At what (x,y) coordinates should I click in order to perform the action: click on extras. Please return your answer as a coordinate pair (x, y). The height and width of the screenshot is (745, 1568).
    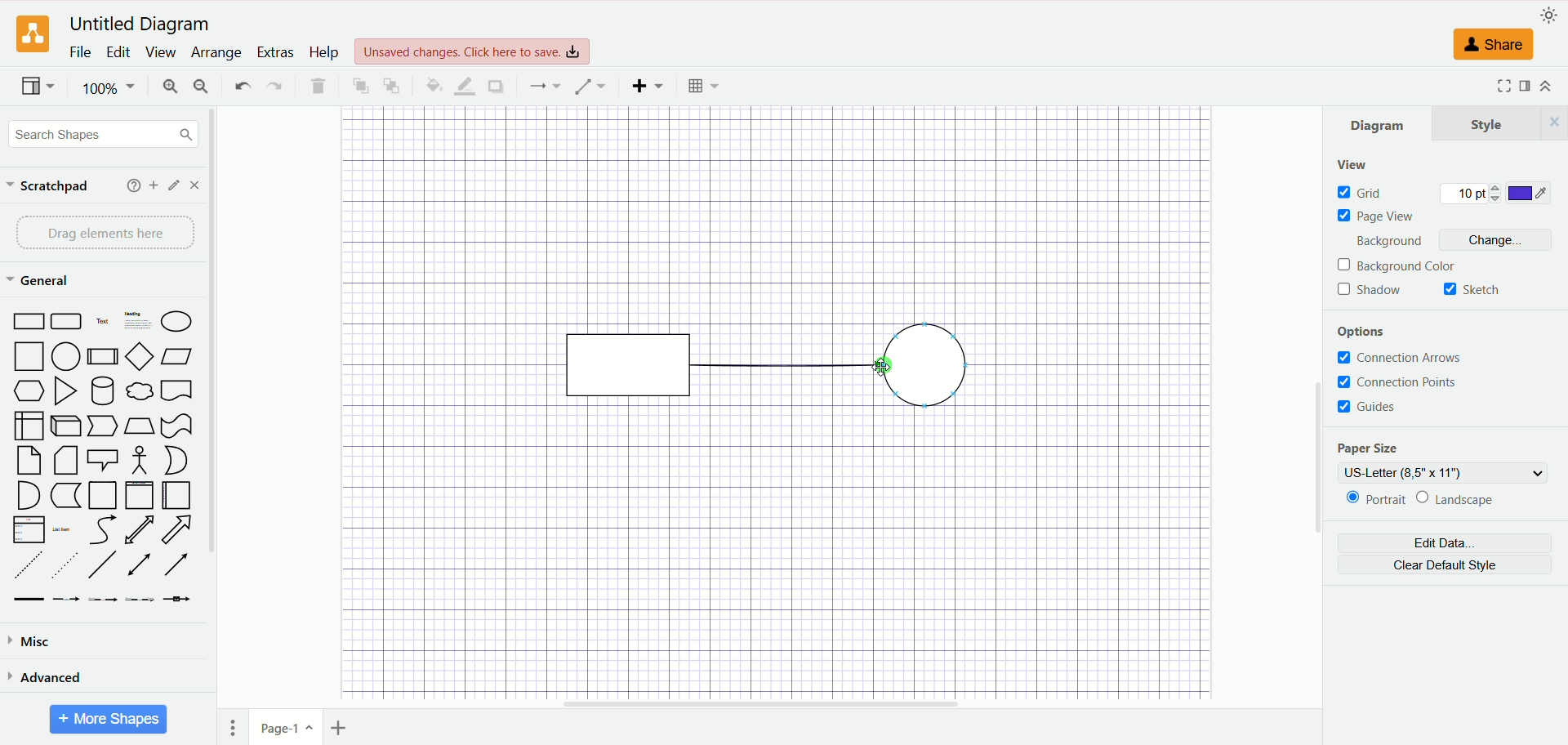
    Looking at the image, I should click on (276, 51).